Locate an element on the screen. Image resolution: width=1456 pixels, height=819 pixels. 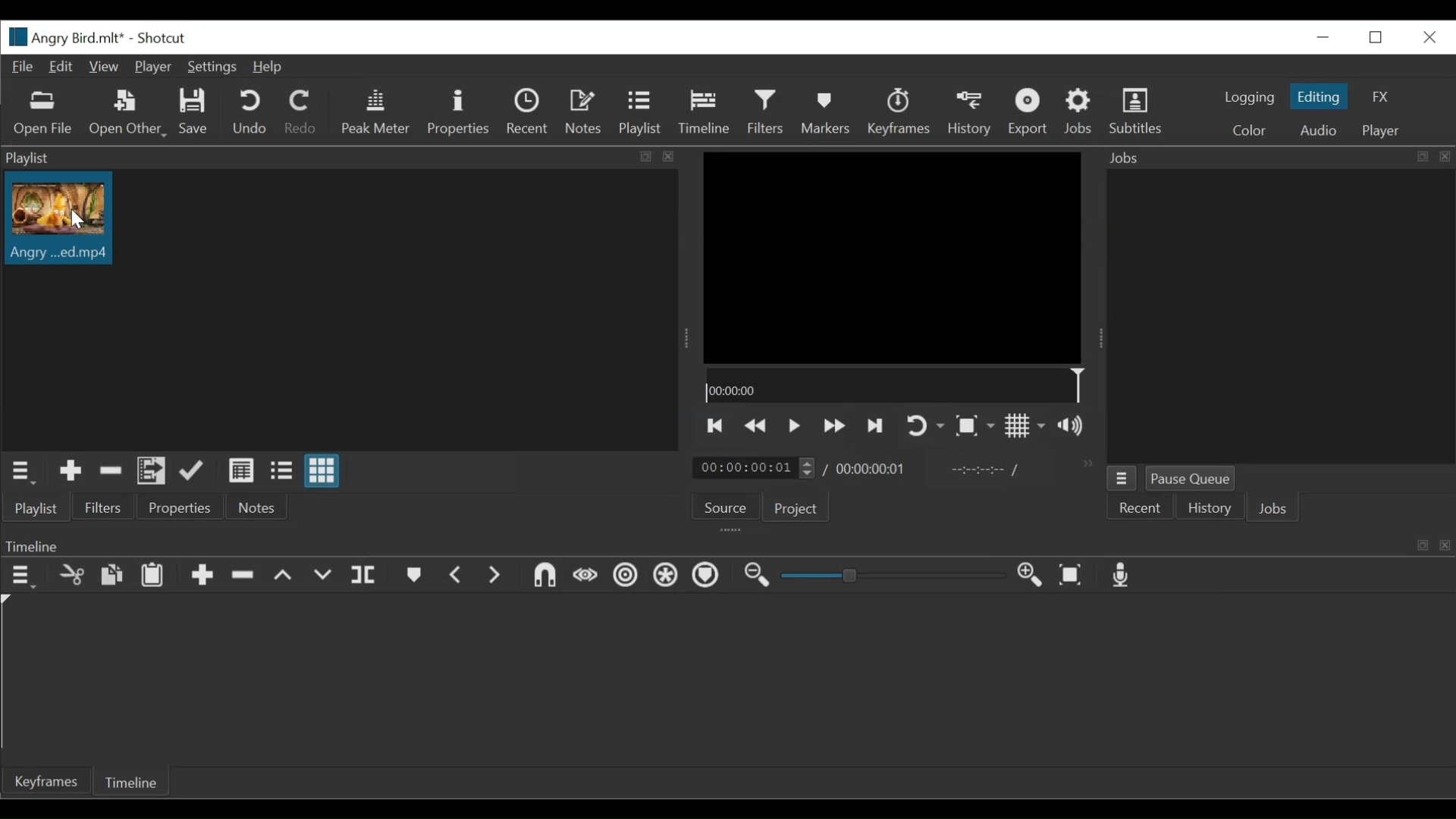
Timeline is located at coordinates (706, 111).